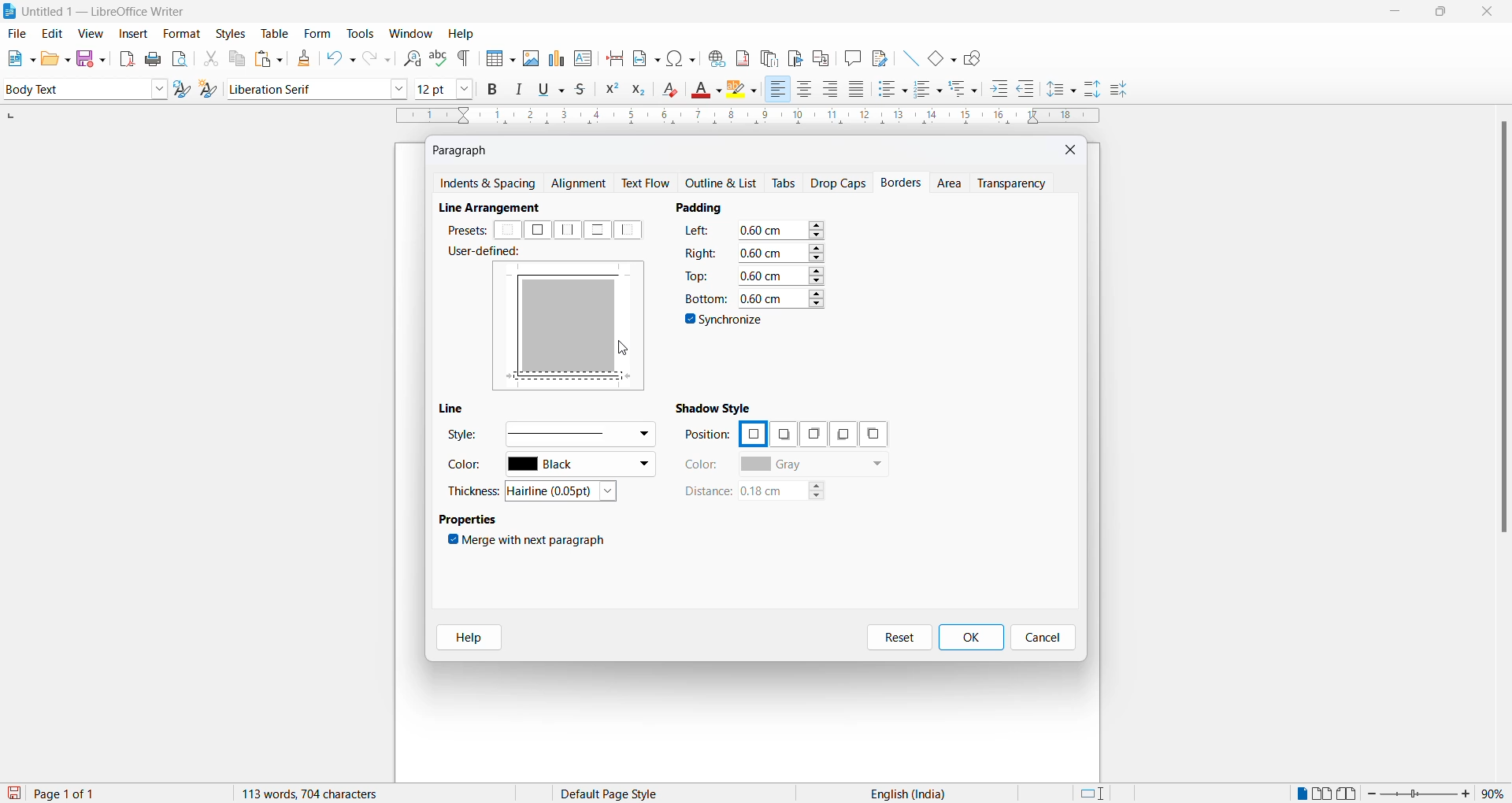  Describe the element at coordinates (970, 638) in the screenshot. I see `ok` at that location.